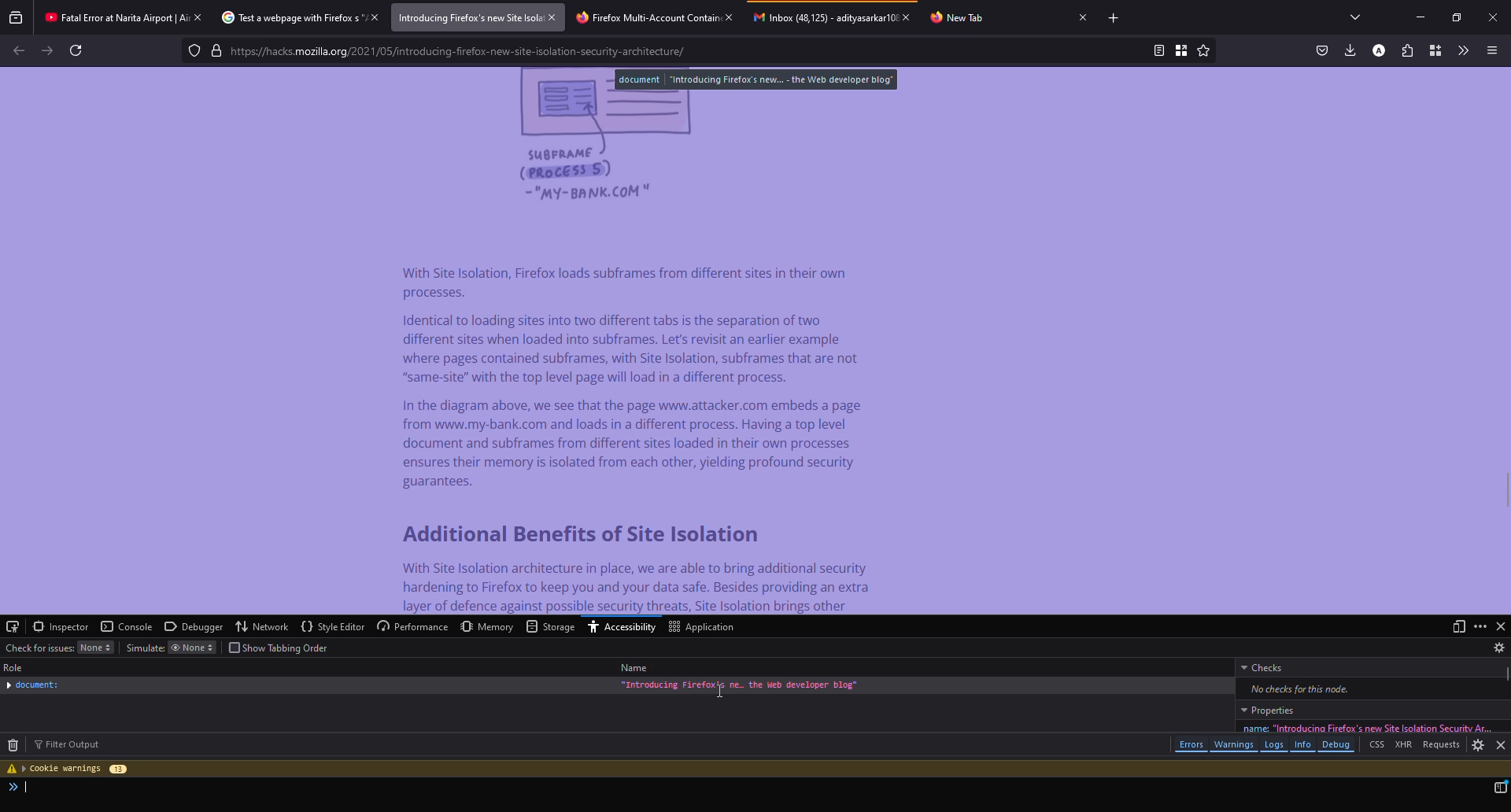  What do you see at coordinates (1235, 745) in the screenshot?
I see `warnings` at bounding box center [1235, 745].